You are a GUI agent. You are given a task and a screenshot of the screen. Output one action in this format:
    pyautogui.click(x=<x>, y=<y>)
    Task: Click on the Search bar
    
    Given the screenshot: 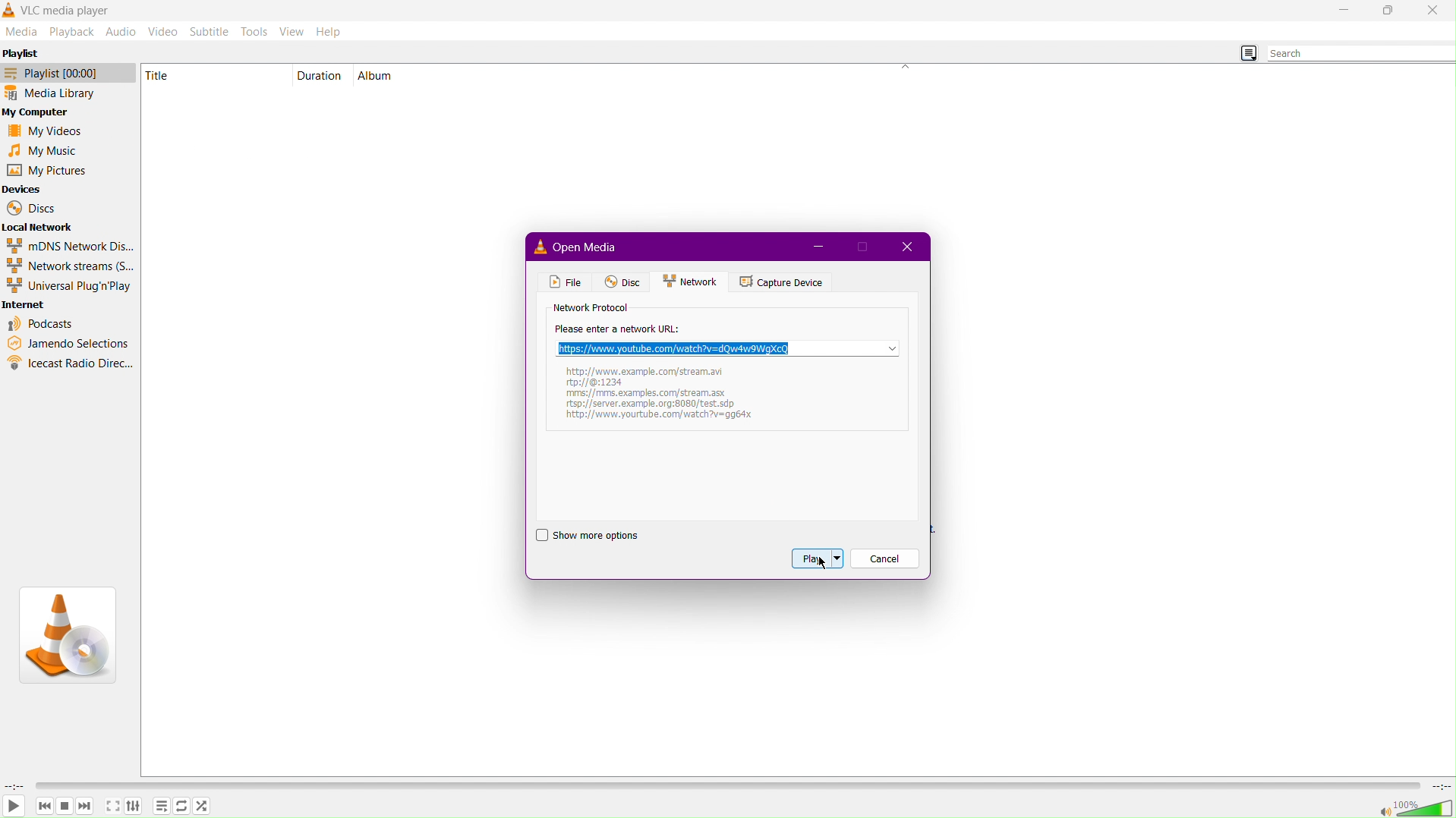 What is the action you would take?
    pyautogui.click(x=1360, y=55)
    